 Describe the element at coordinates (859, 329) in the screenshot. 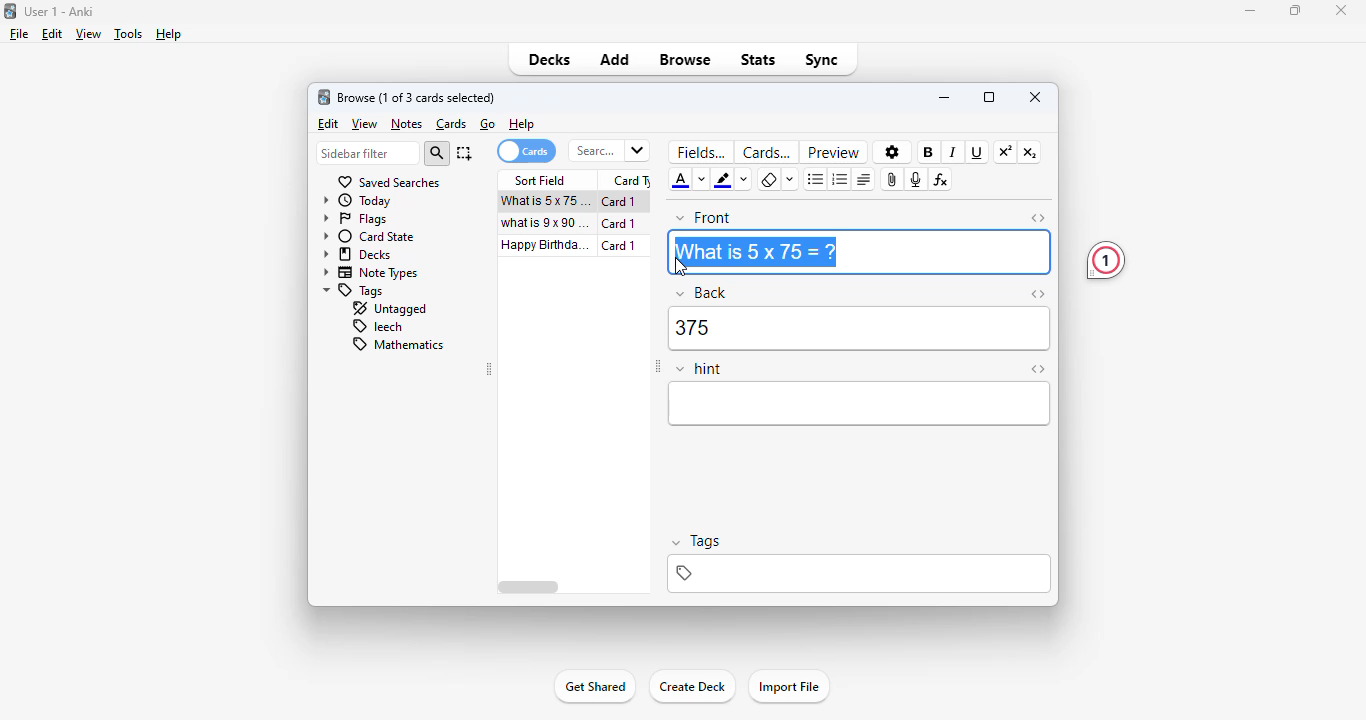

I see `375` at that location.